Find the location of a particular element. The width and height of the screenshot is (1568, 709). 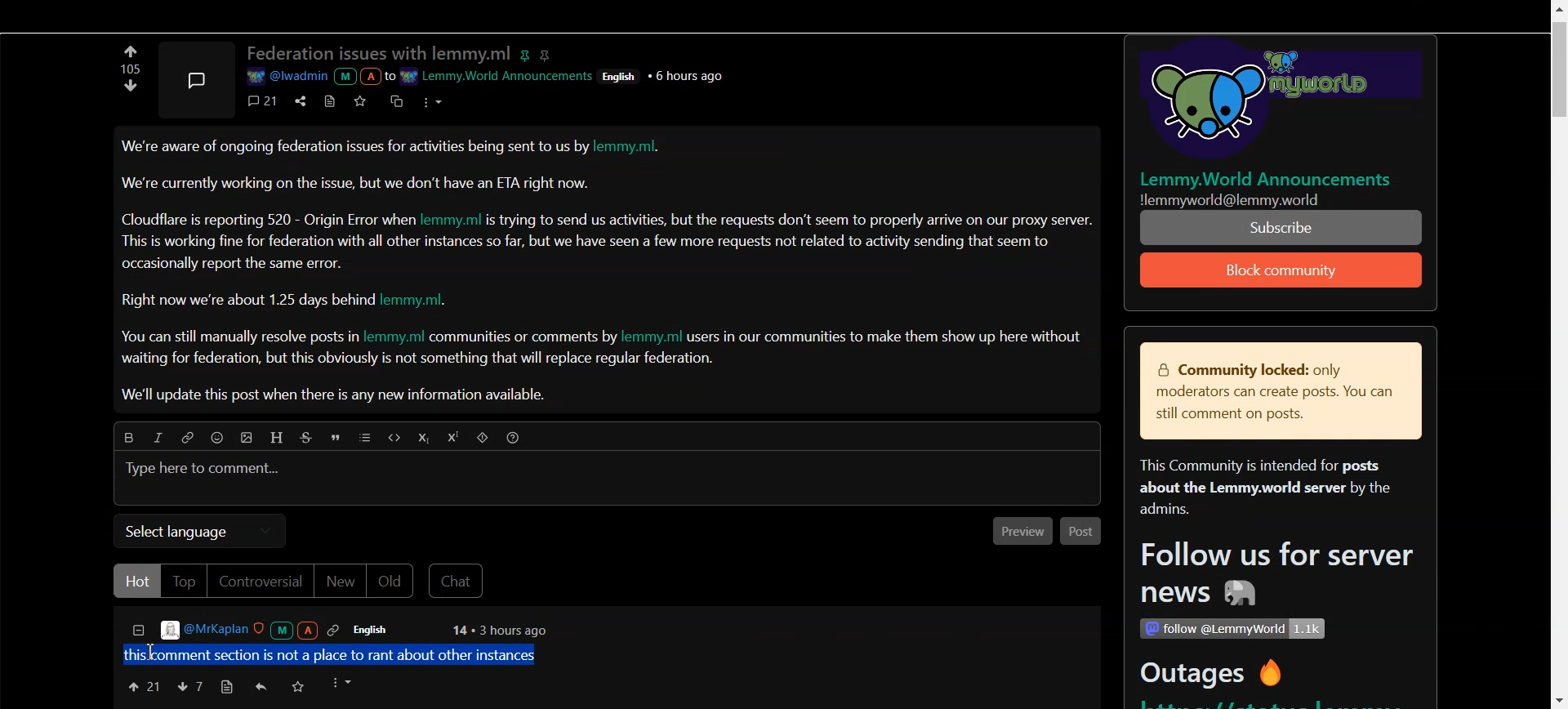

We're aware of ongoing federation issues for activities being sent to us by is located at coordinates (355, 150).